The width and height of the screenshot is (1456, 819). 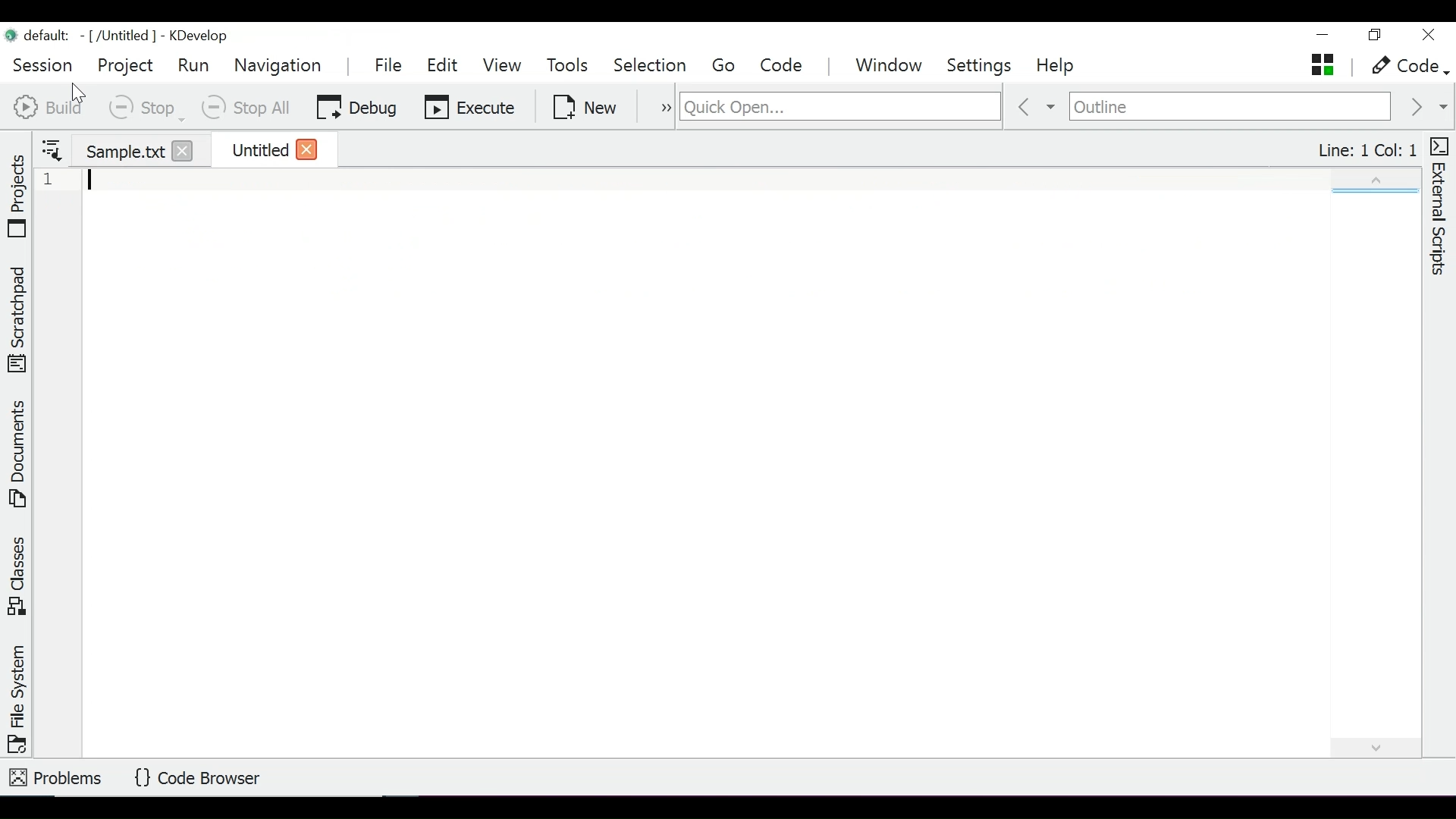 What do you see at coordinates (1369, 149) in the screenshot?
I see `Line and Column` at bounding box center [1369, 149].